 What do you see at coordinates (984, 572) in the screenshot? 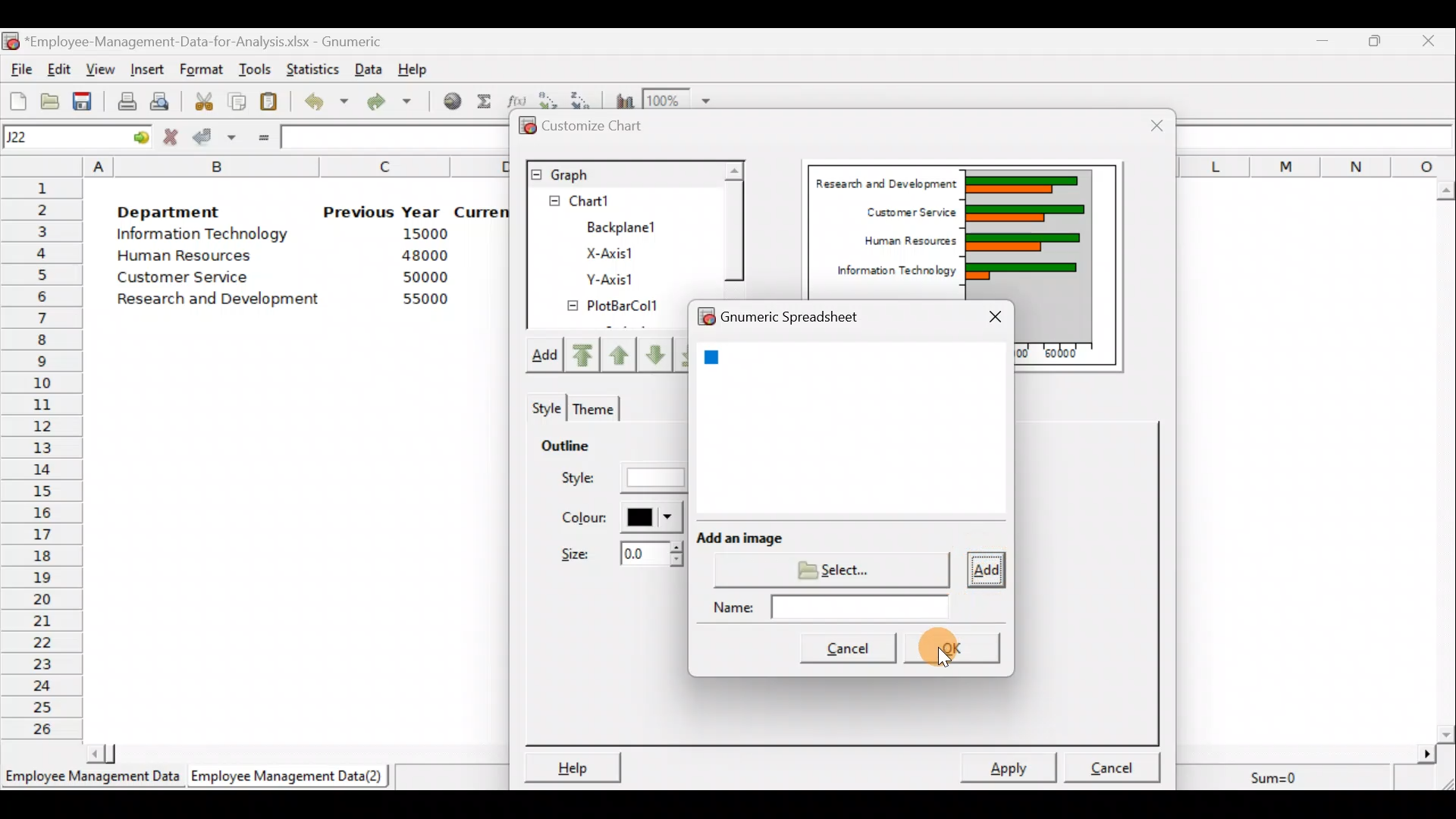
I see `Add` at bounding box center [984, 572].